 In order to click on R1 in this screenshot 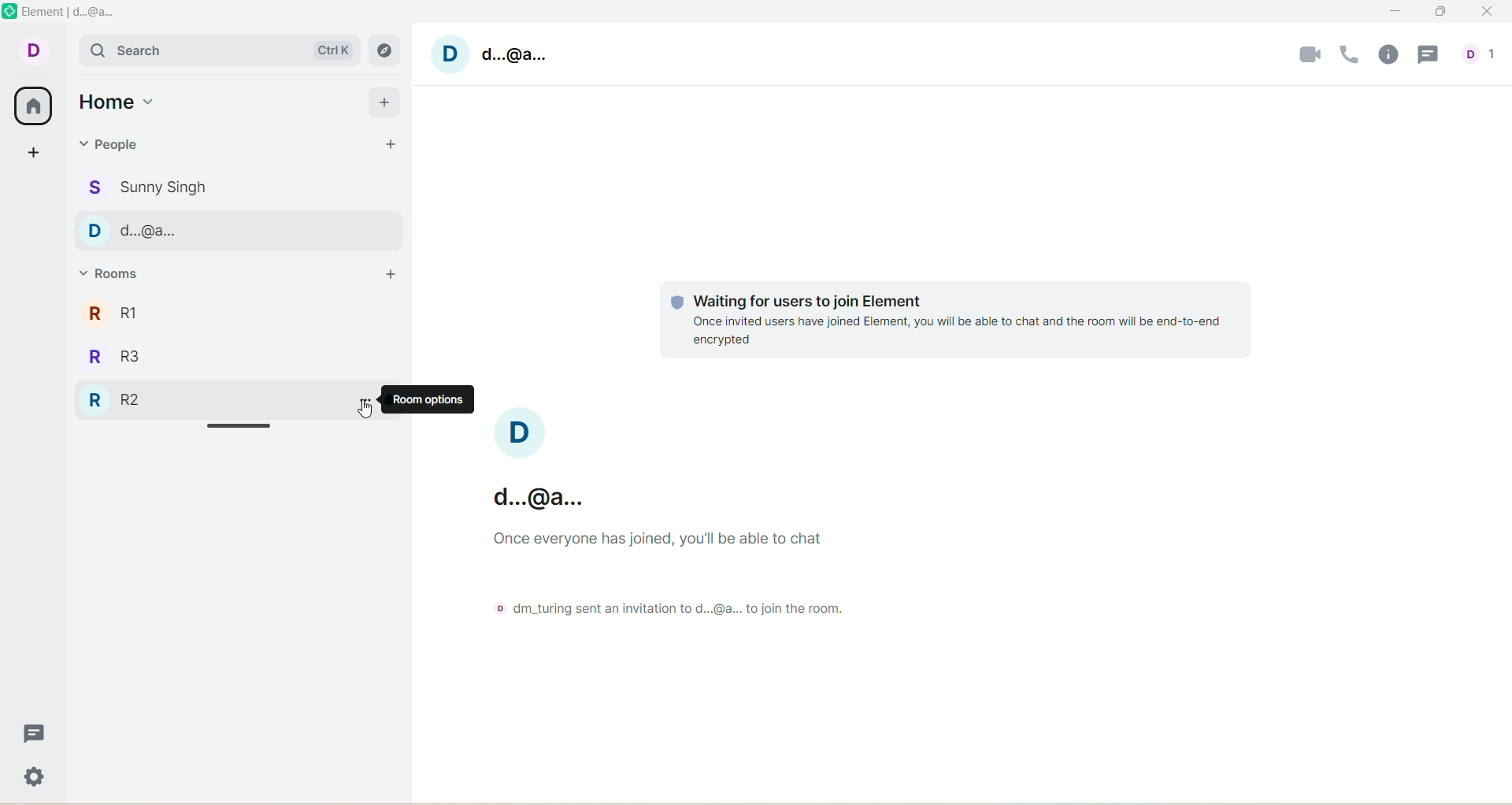, I will do `click(238, 312)`.